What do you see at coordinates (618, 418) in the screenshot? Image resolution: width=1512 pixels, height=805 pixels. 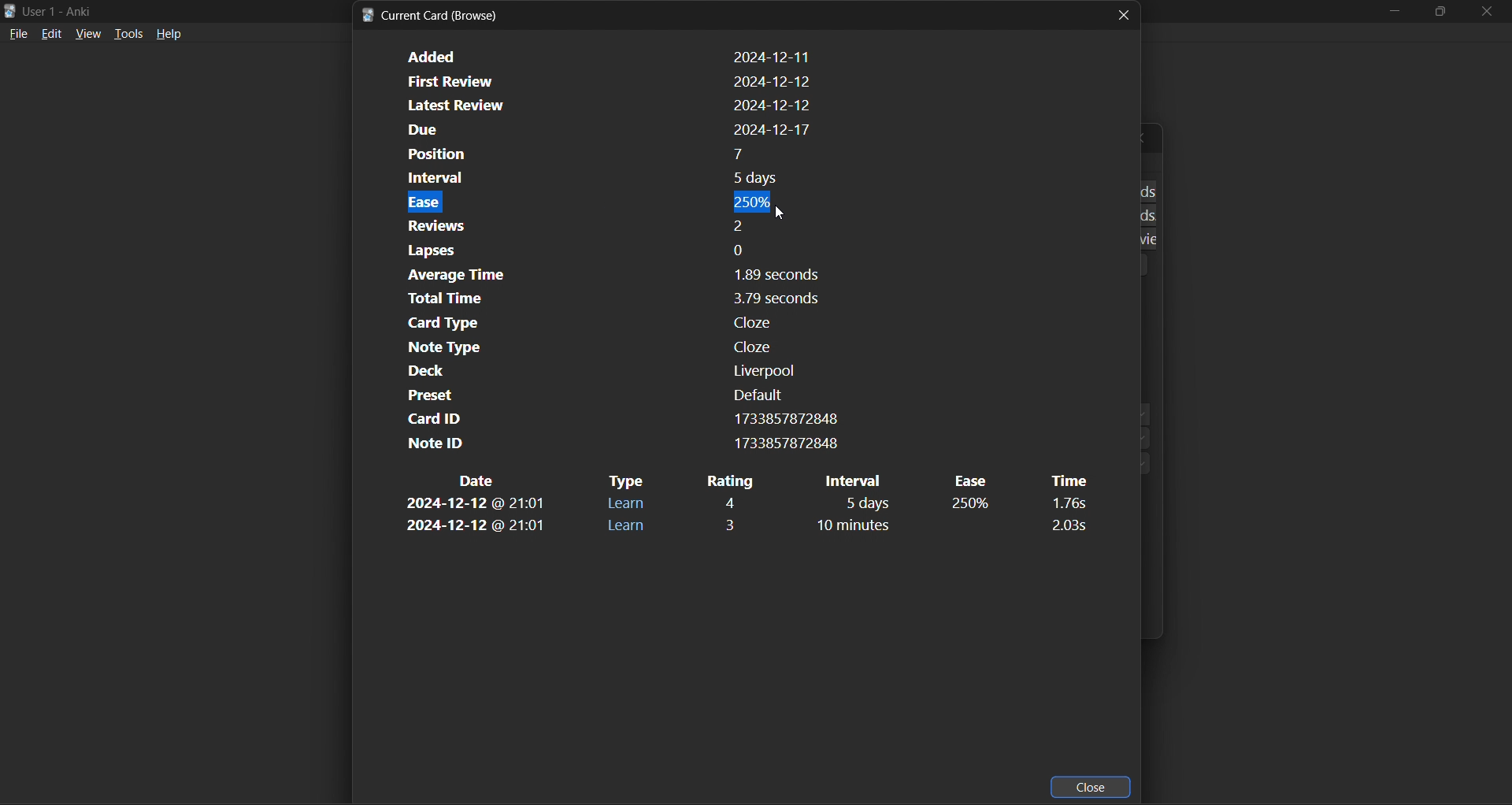 I see `card id` at bounding box center [618, 418].